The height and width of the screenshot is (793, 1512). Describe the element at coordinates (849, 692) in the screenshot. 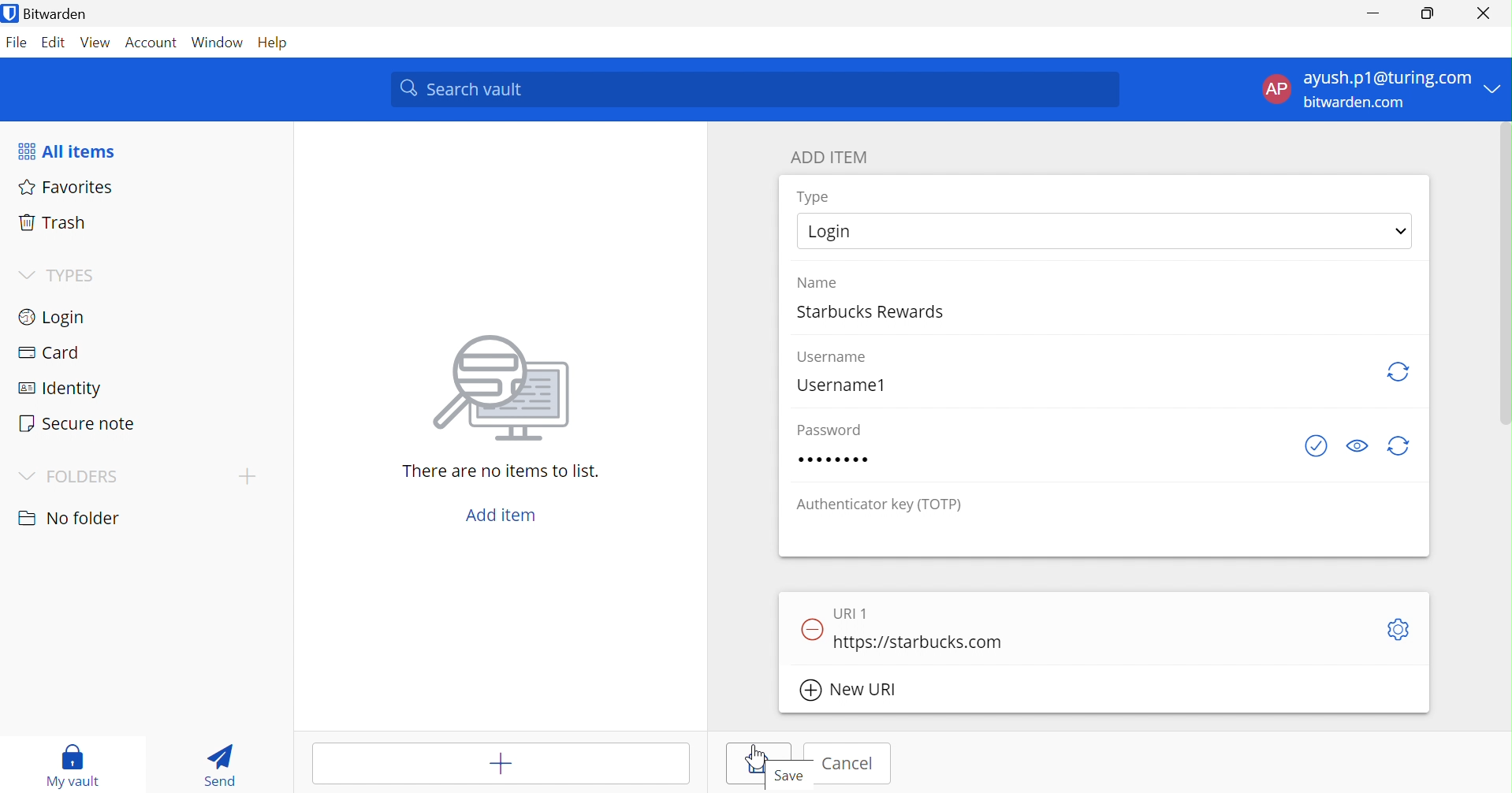

I see `New URI` at that location.